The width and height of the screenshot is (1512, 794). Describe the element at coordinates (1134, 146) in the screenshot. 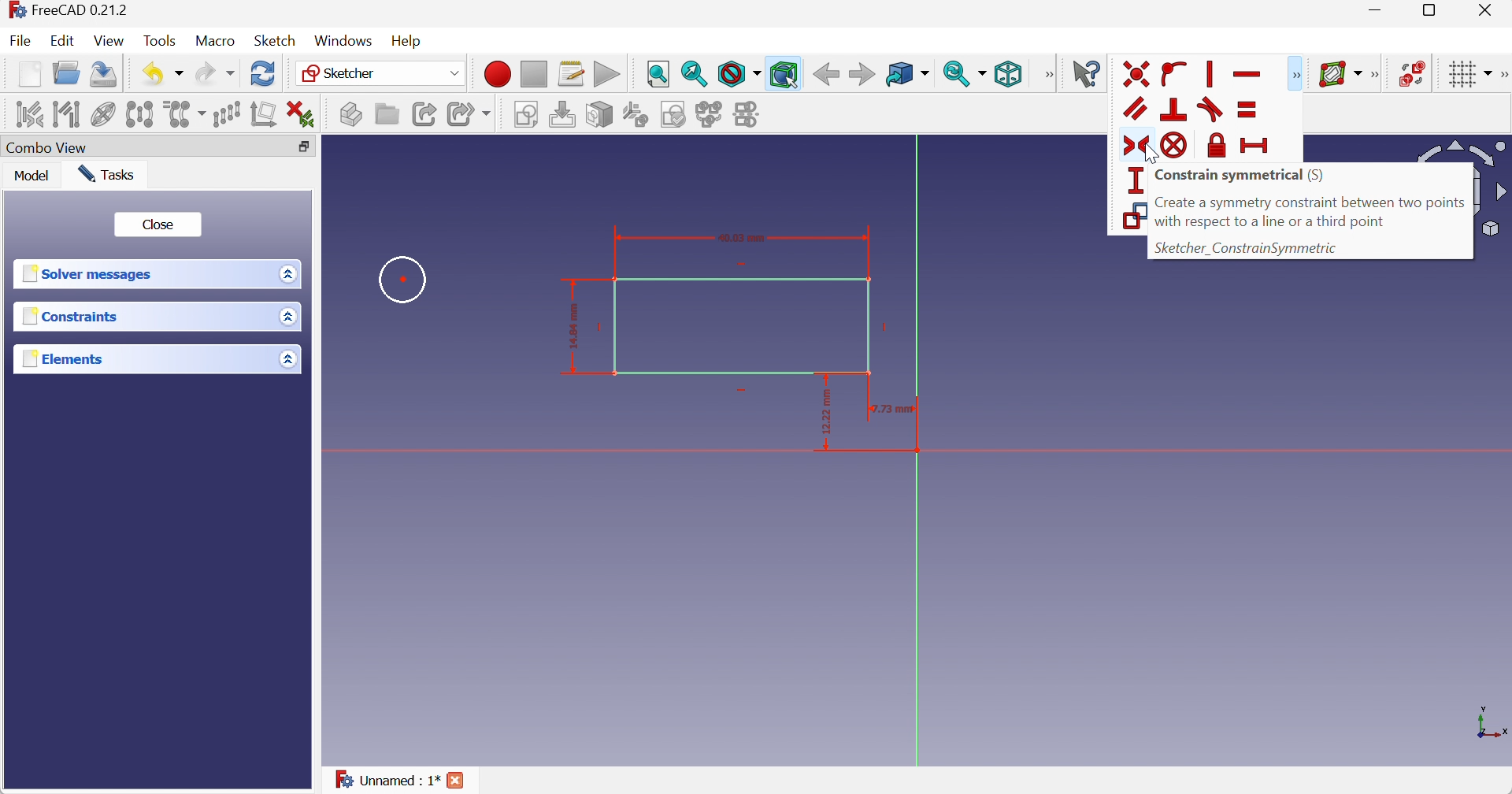

I see `Constrain symmetrical` at that location.